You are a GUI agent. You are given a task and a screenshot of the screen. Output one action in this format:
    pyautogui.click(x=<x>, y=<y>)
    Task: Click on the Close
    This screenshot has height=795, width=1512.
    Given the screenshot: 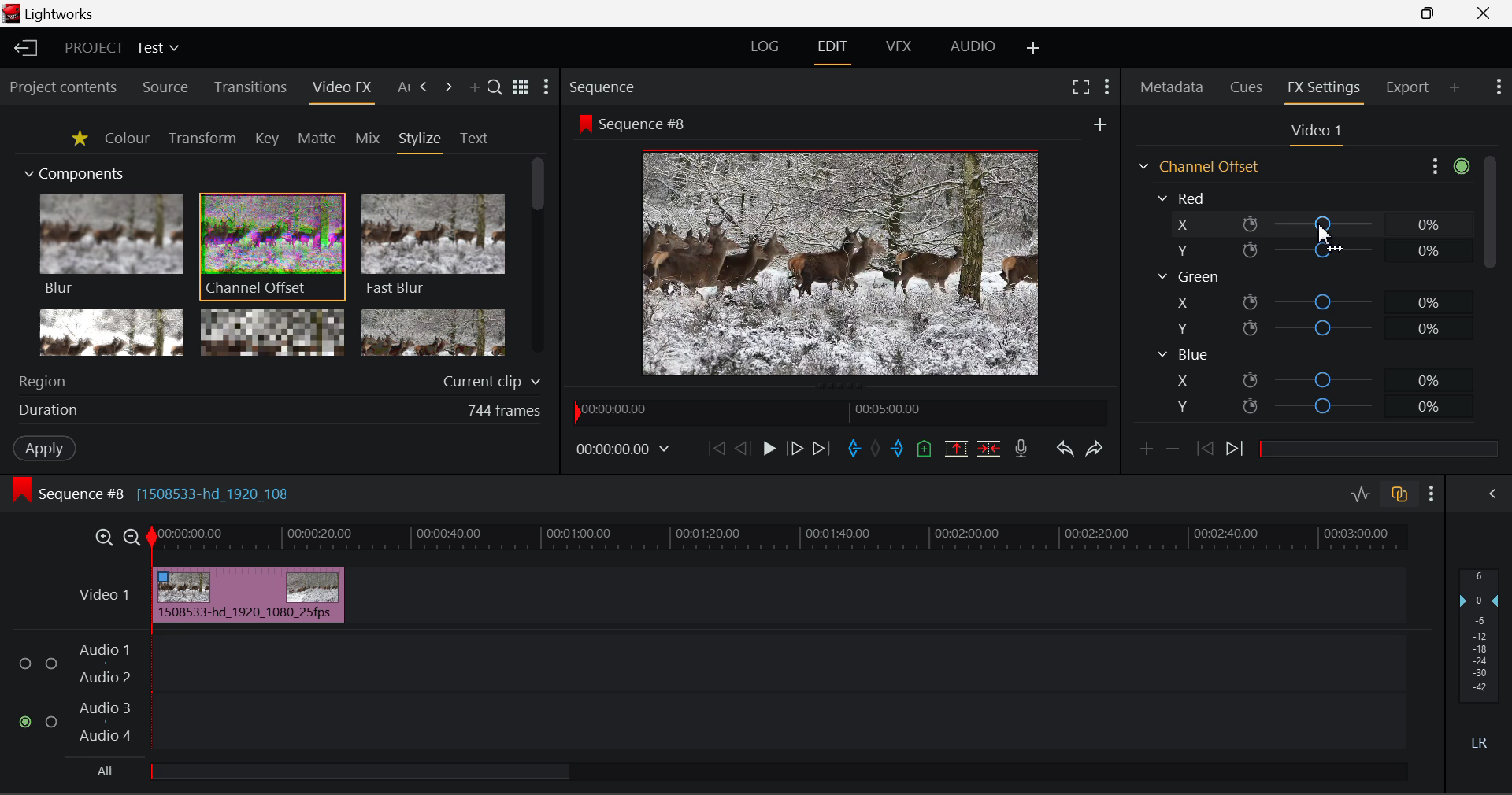 What is the action you would take?
    pyautogui.click(x=1483, y=14)
    